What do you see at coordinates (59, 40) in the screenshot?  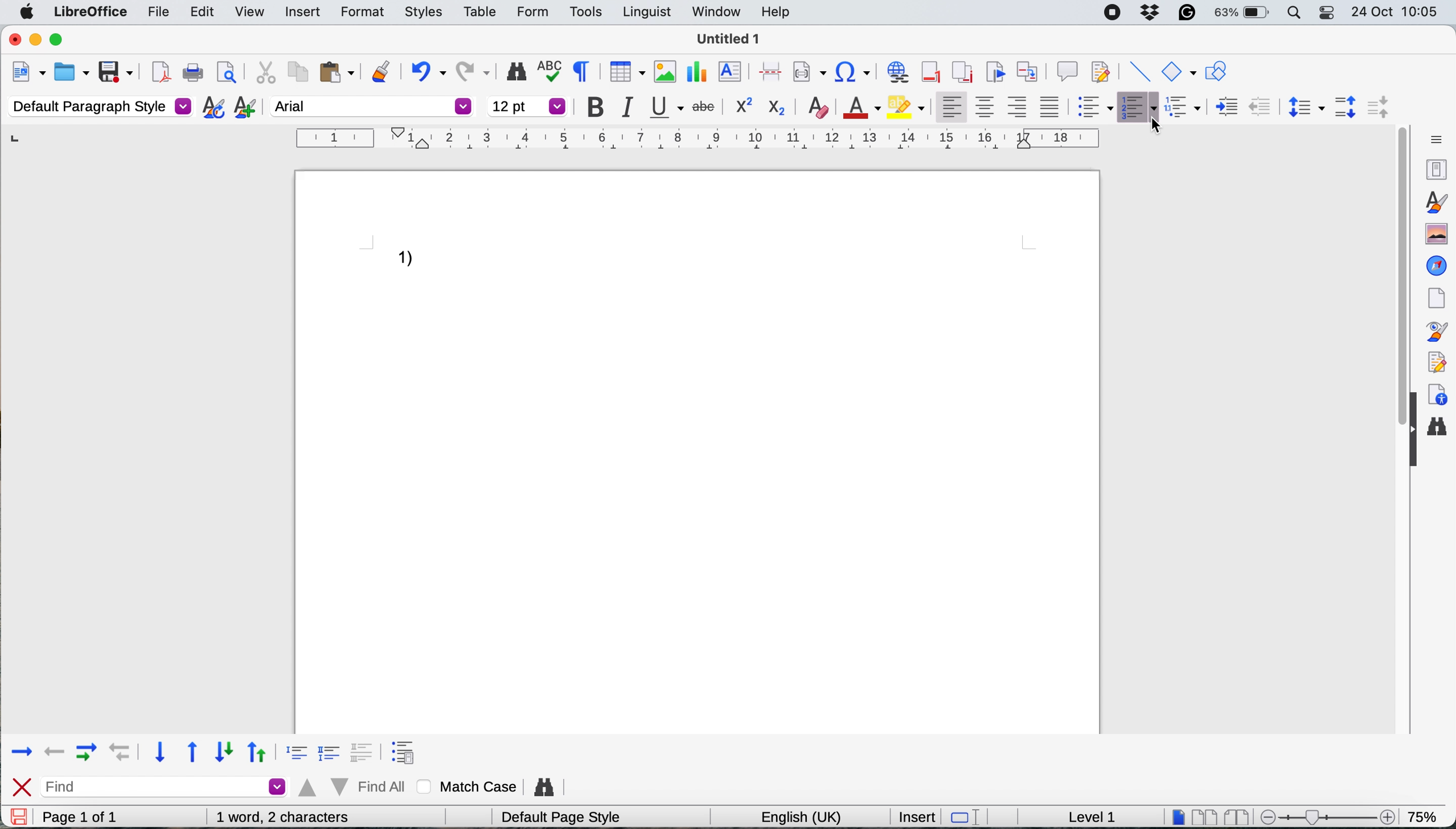 I see `maximise` at bounding box center [59, 40].